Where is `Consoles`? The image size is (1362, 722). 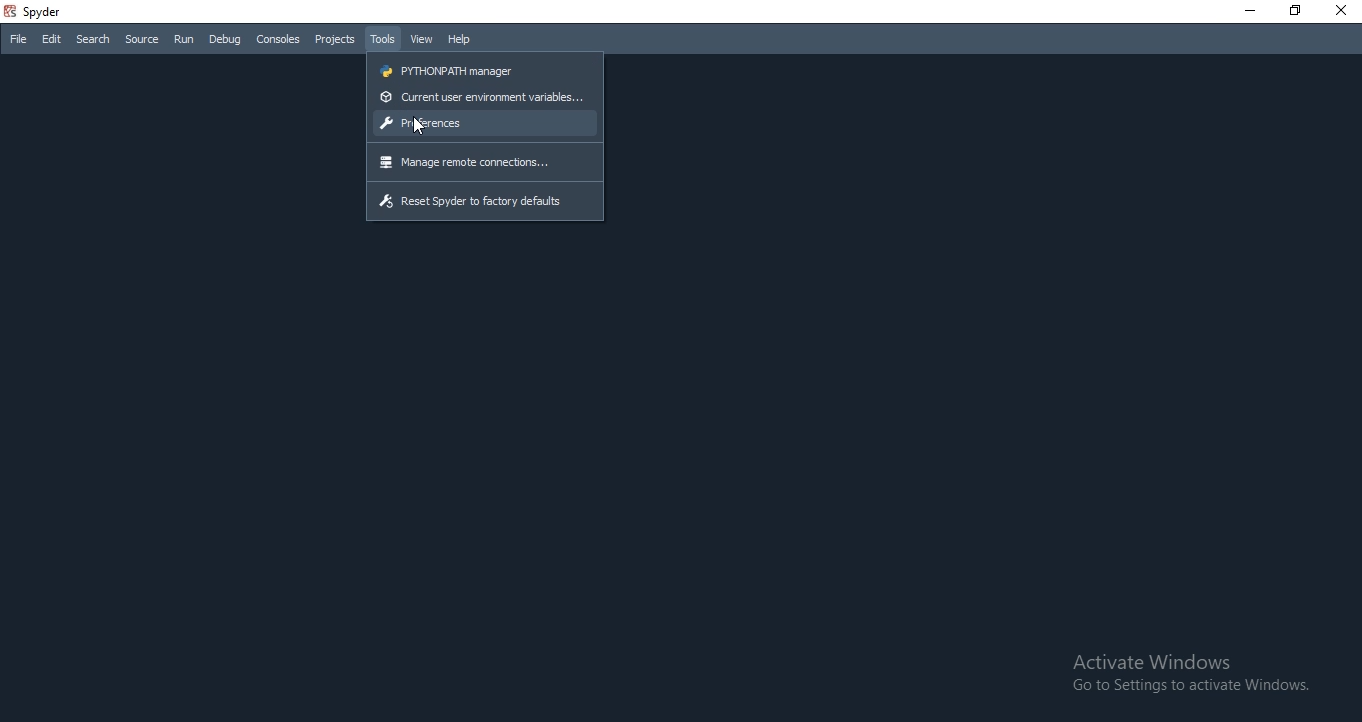
Consoles is located at coordinates (280, 39).